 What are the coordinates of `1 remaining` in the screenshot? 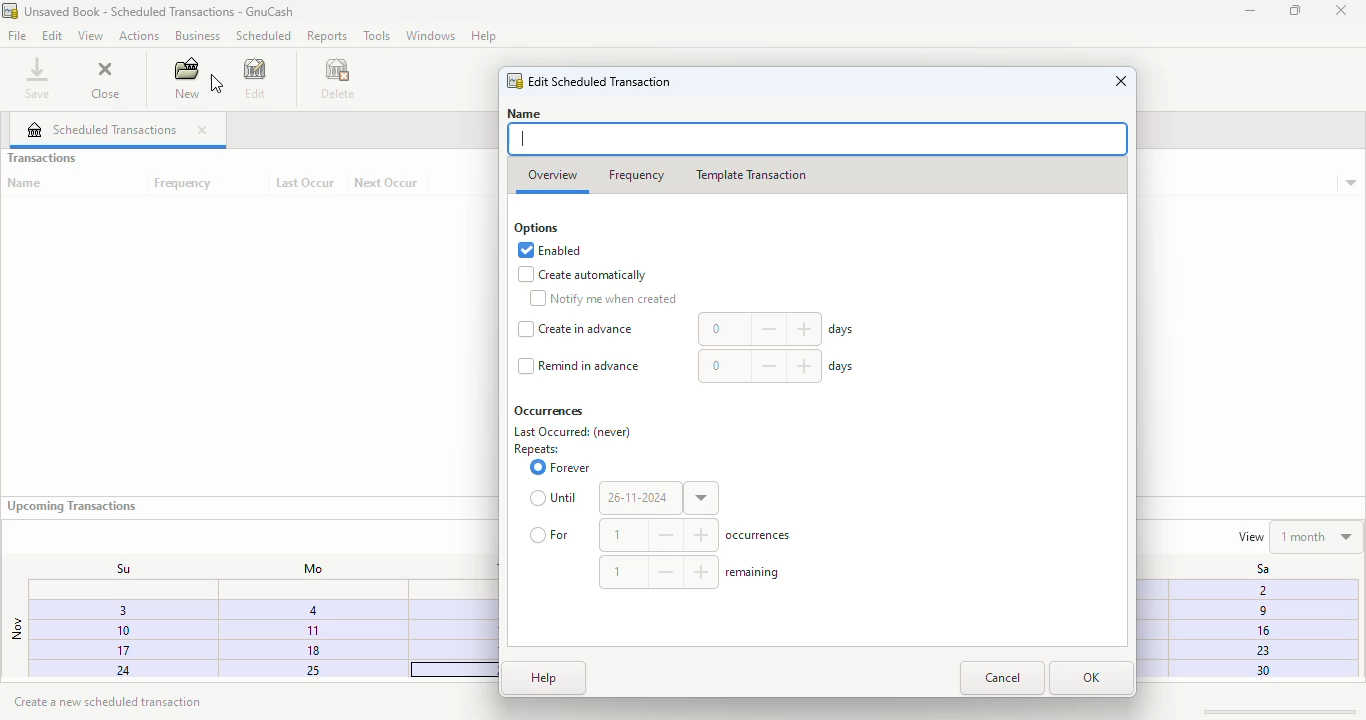 It's located at (692, 571).